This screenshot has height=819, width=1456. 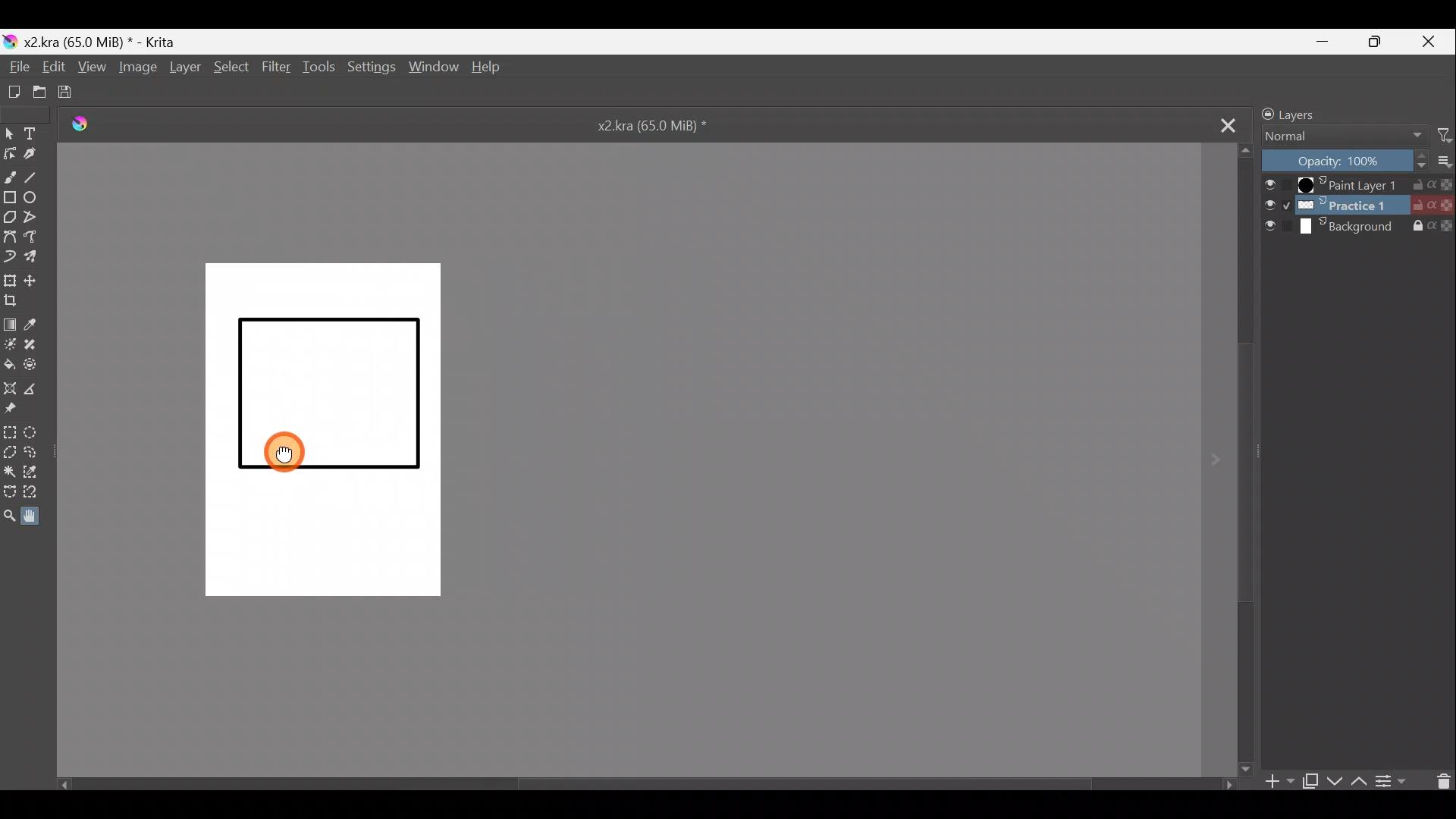 I want to click on Freehand selection tool, so click(x=33, y=454).